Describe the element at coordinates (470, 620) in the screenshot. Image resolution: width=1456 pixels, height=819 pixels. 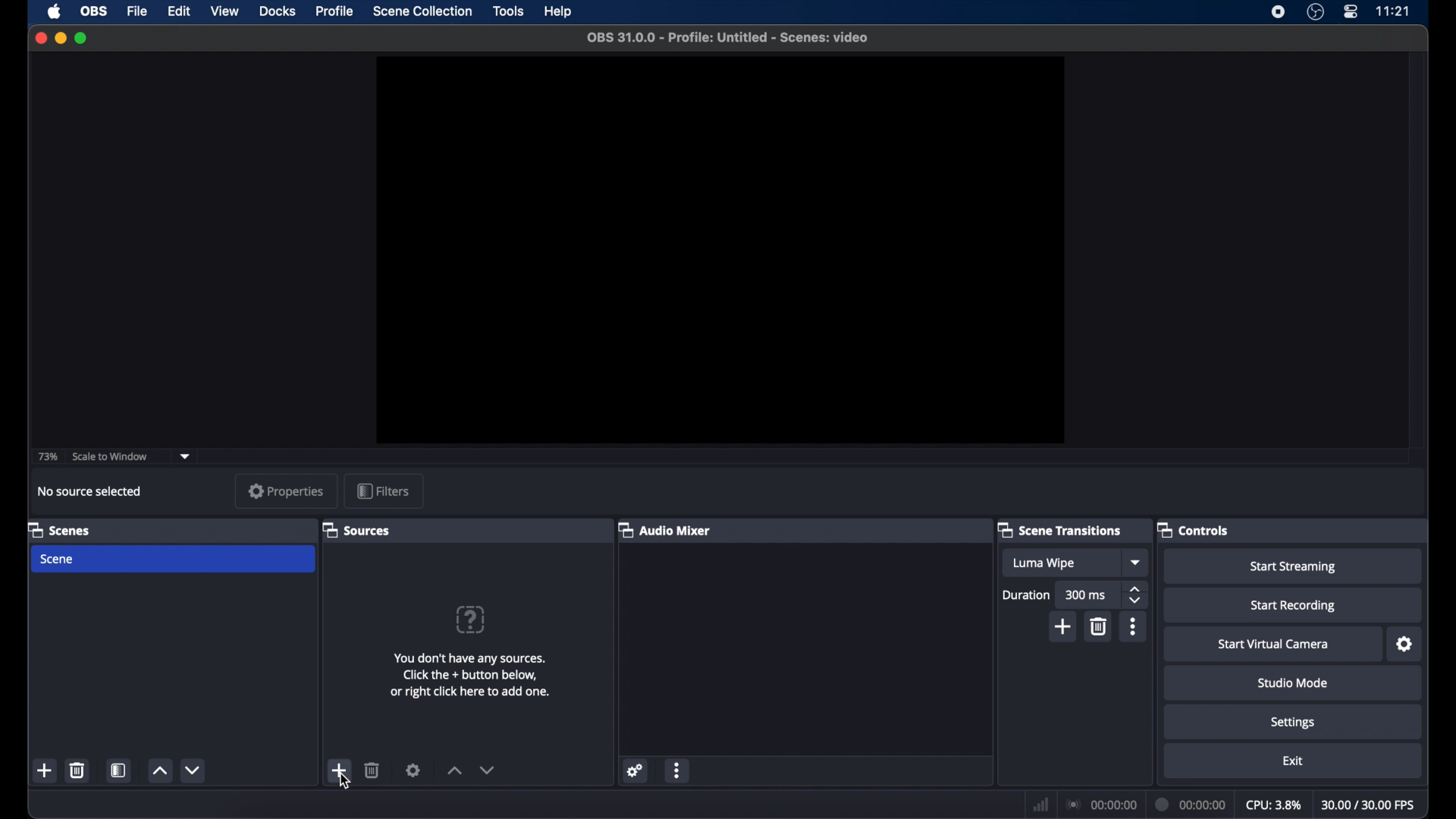
I see `question mark icon` at that location.